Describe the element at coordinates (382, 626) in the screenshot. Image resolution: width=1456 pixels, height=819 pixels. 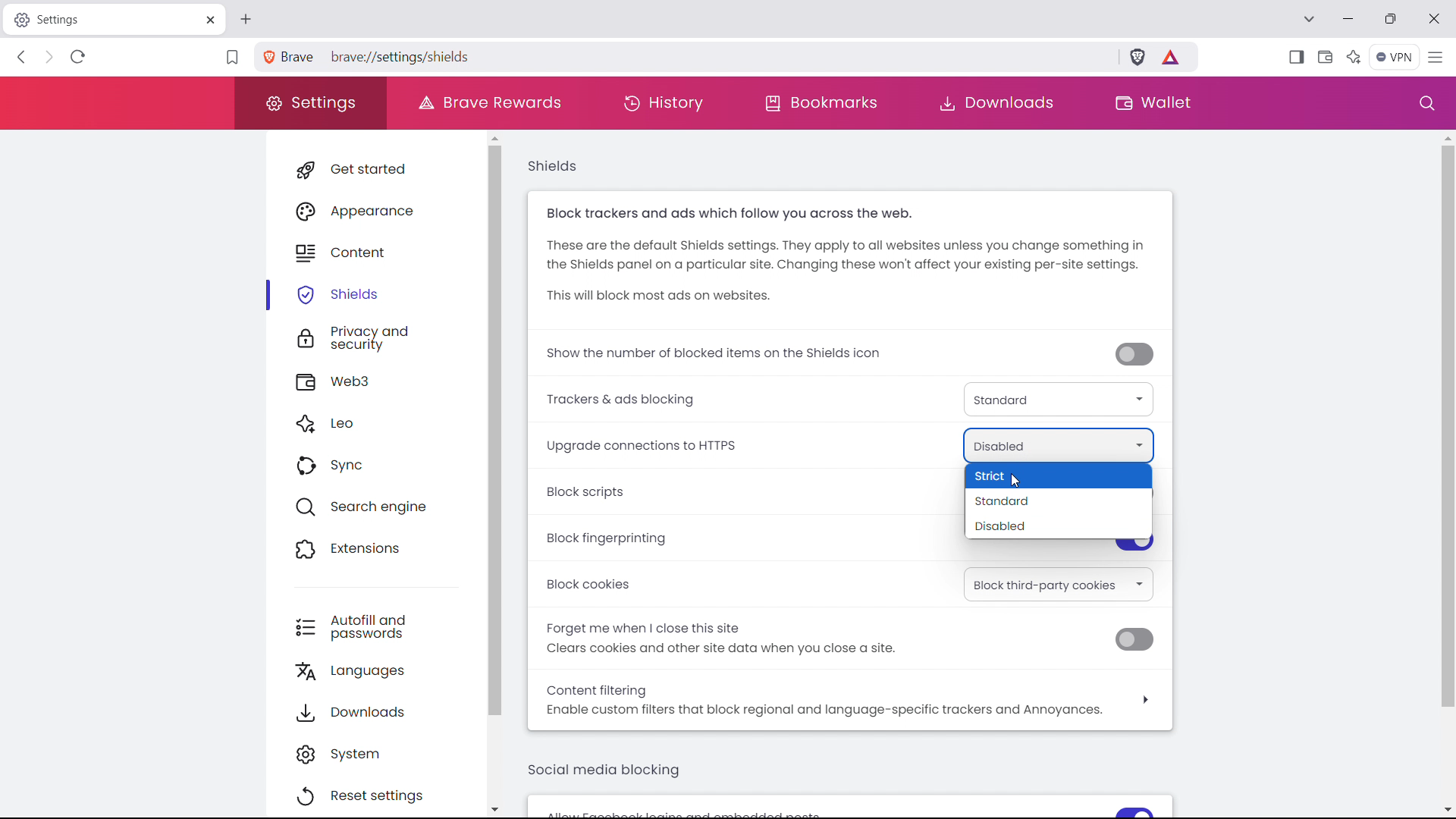
I see `autofill and passwords` at that location.